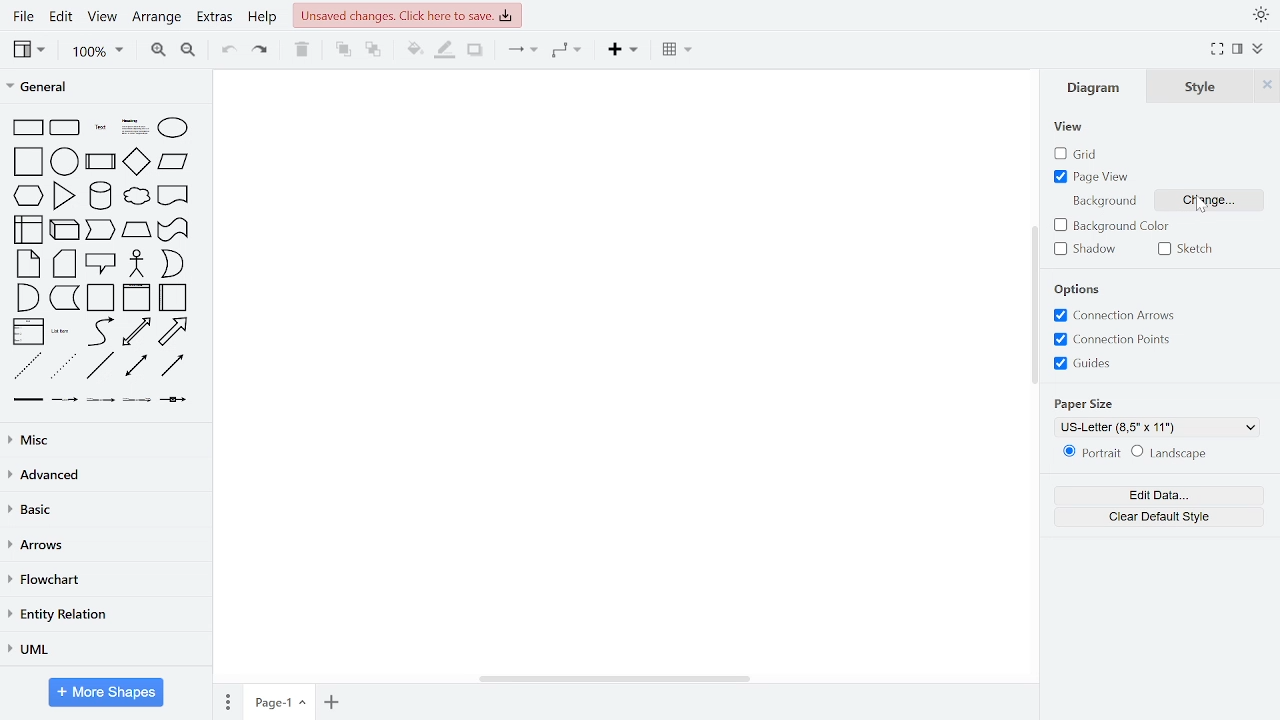 The image size is (1280, 720). I want to click on misc, so click(106, 441).